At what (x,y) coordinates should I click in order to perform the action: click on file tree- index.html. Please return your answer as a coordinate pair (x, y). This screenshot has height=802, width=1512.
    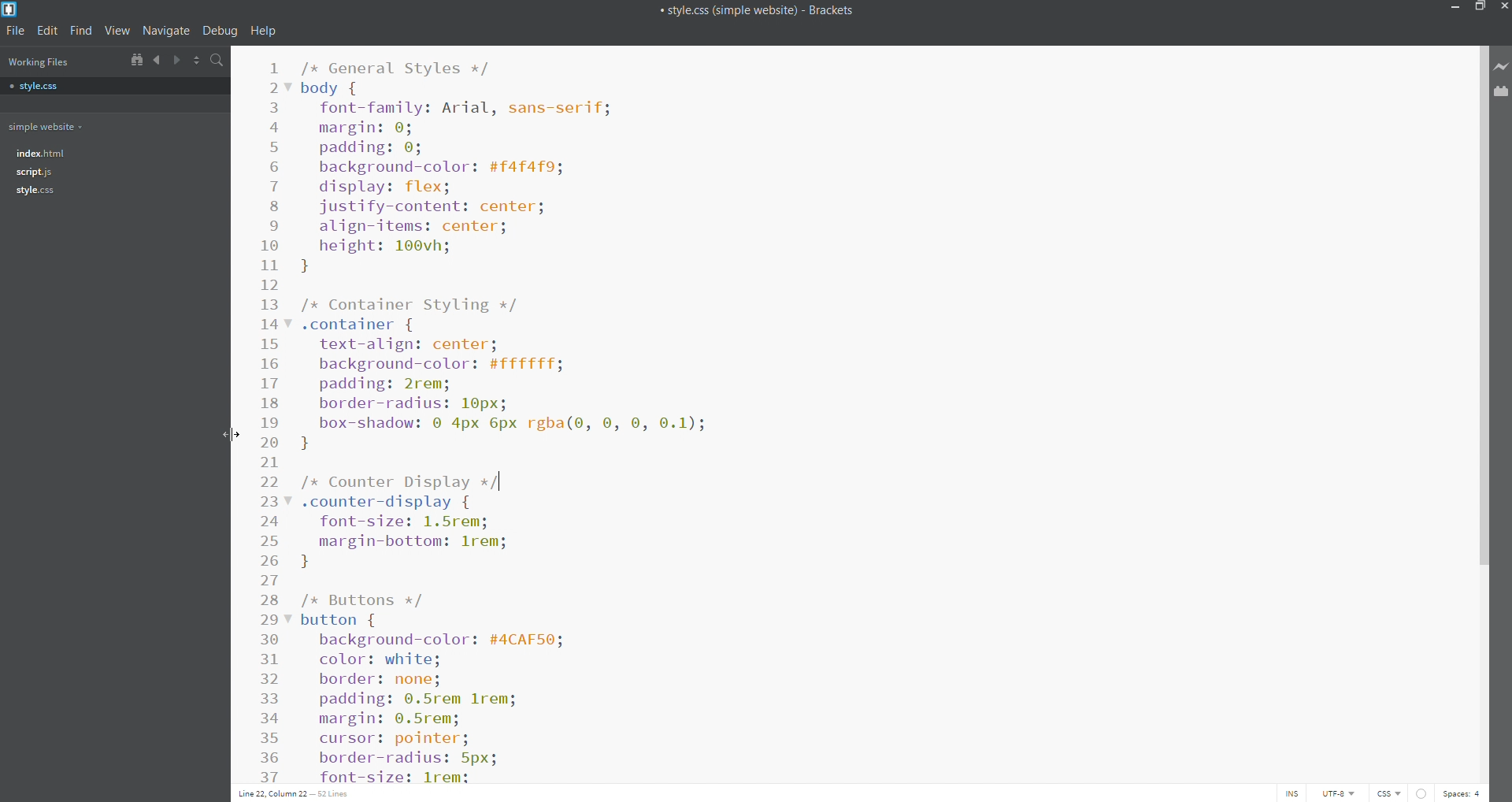
    Looking at the image, I should click on (43, 151).